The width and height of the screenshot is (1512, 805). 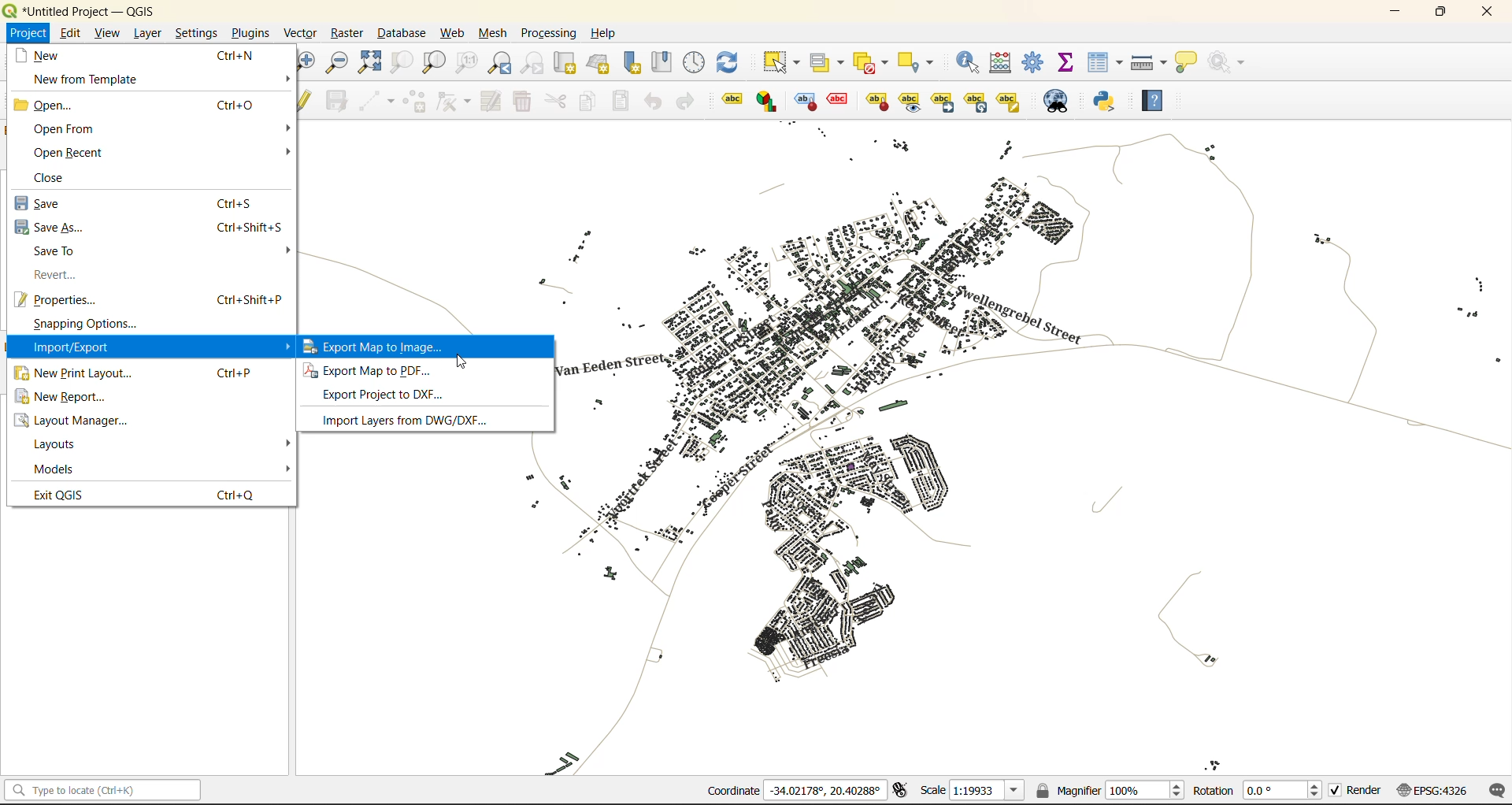 I want to click on refresh, so click(x=732, y=63).